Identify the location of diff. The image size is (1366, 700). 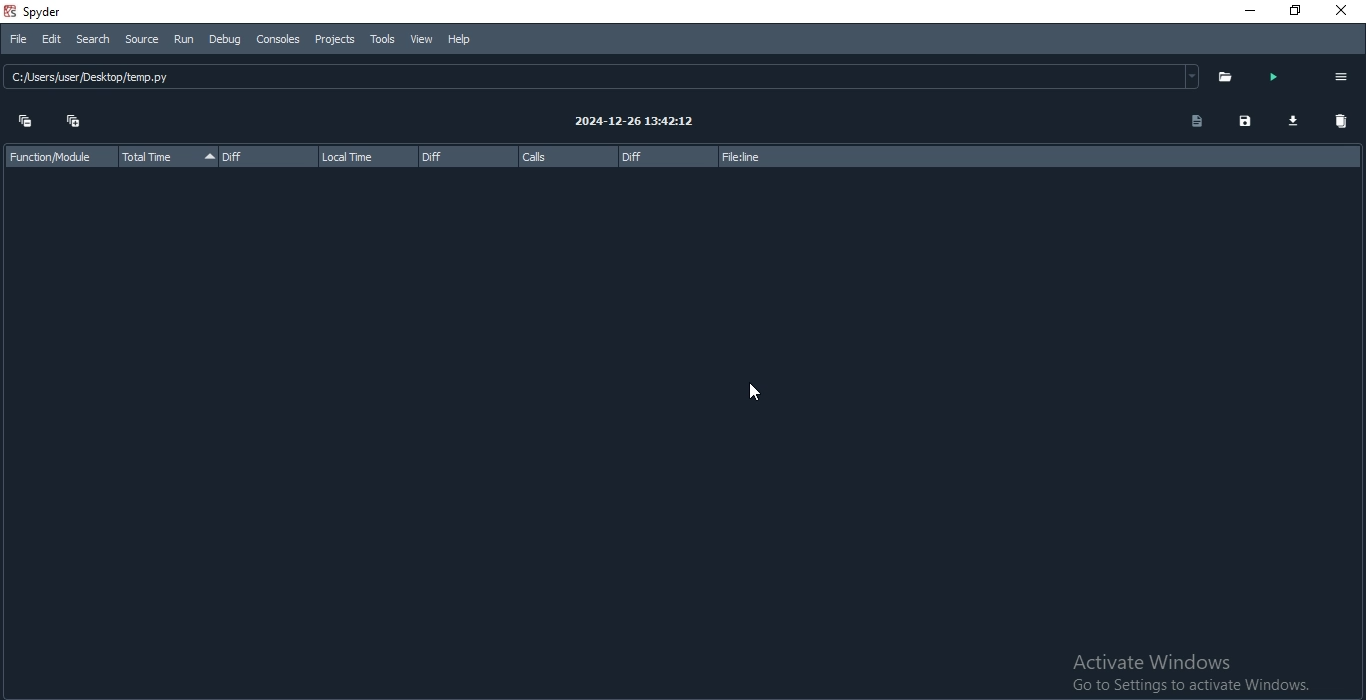
(466, 156).